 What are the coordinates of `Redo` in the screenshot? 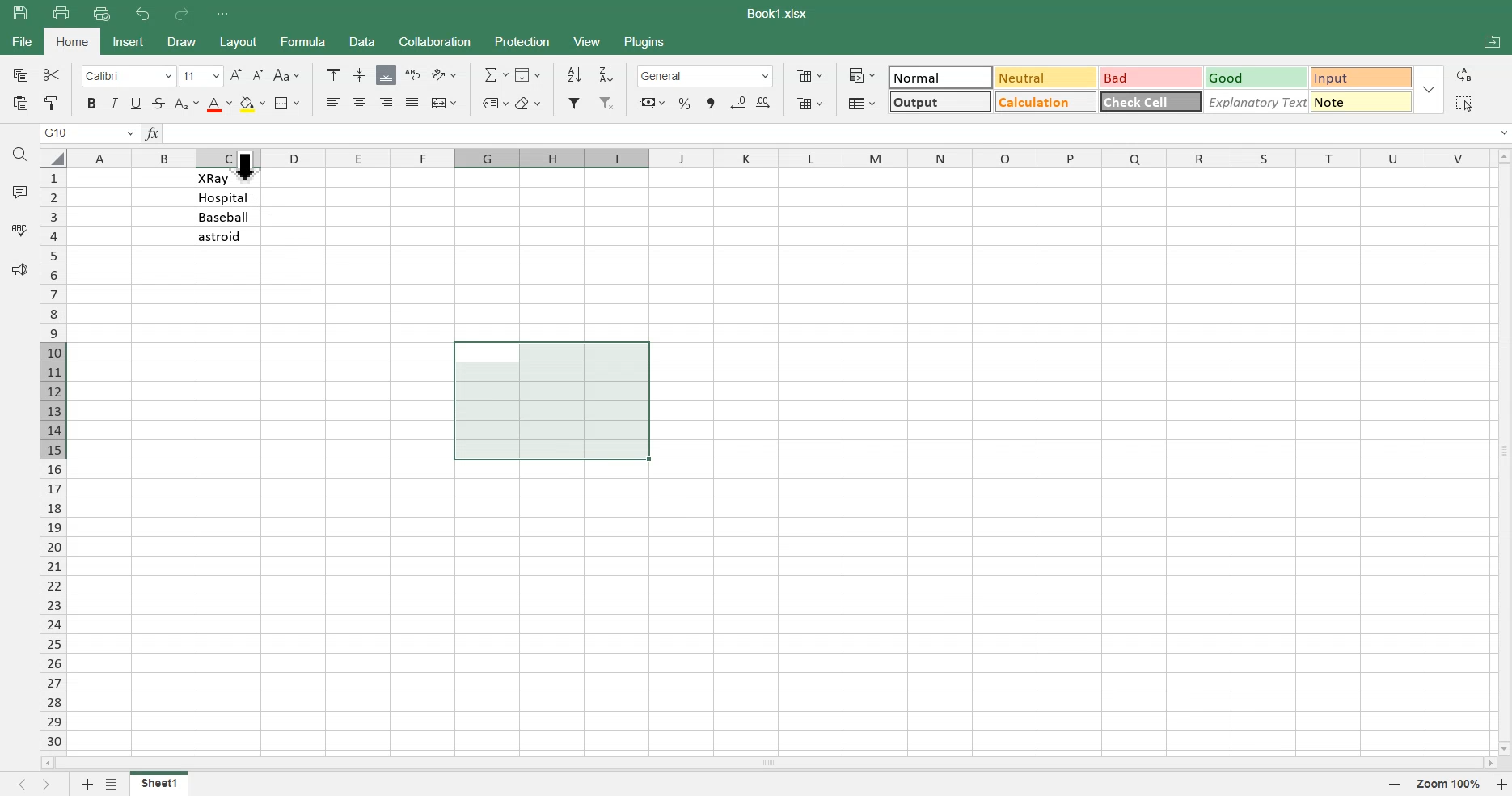 It's located at (180, 15).